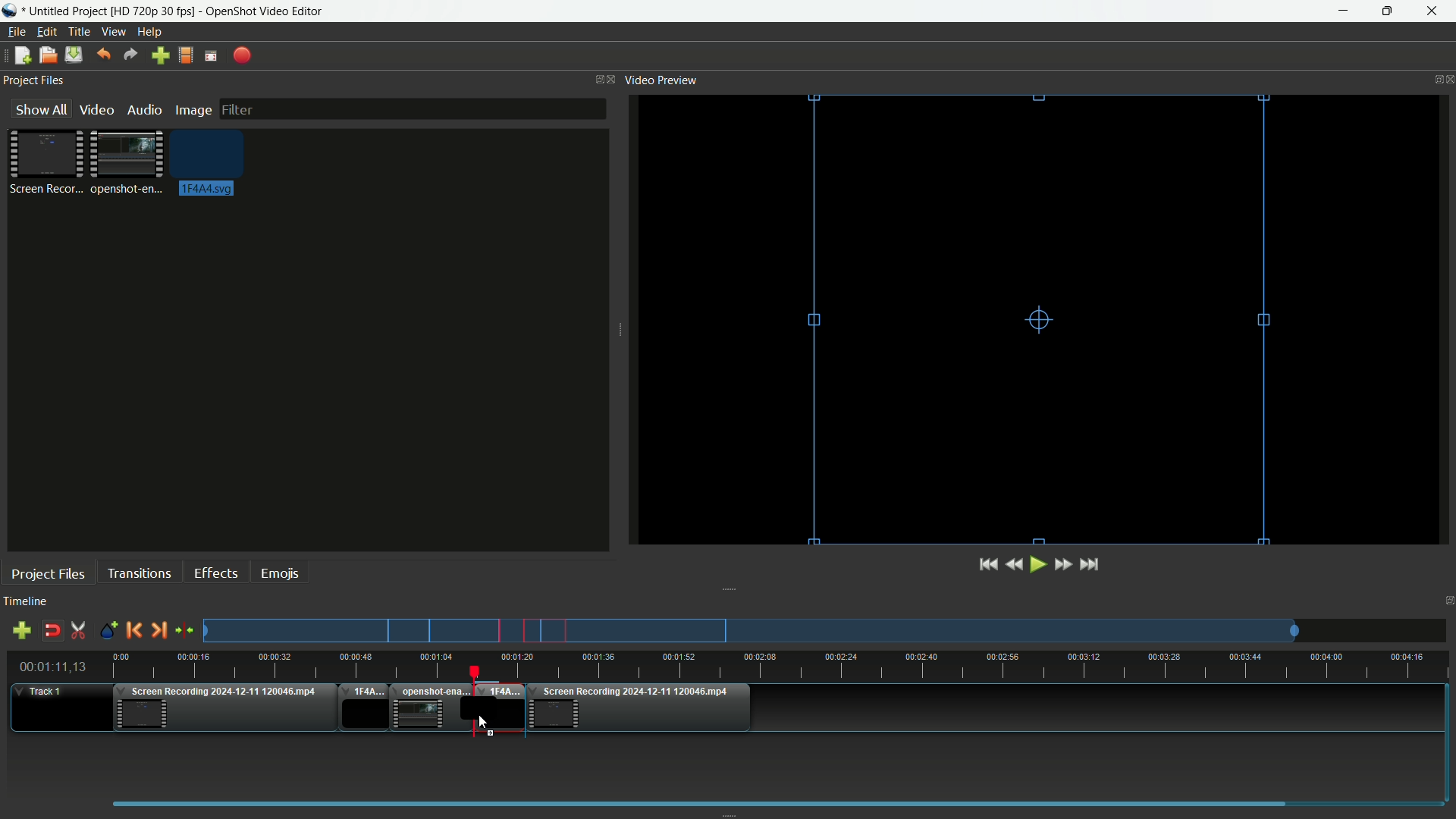  What do you see at coordinates (211, 162) in the screenshot?
I see `Image for placeholder` at bounding box center [211, 162].